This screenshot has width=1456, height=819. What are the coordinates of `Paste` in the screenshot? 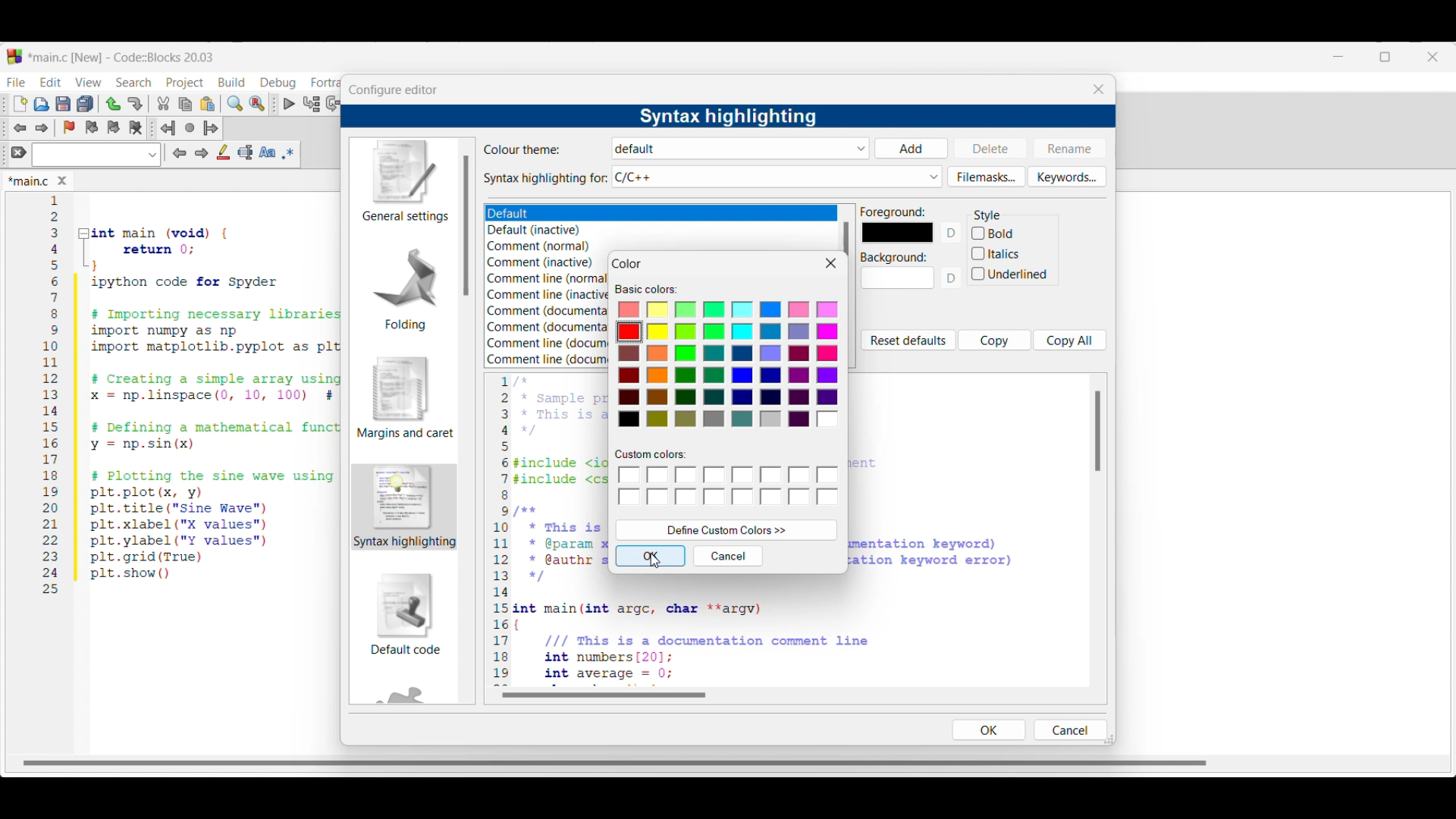 It's located at (208, 104).